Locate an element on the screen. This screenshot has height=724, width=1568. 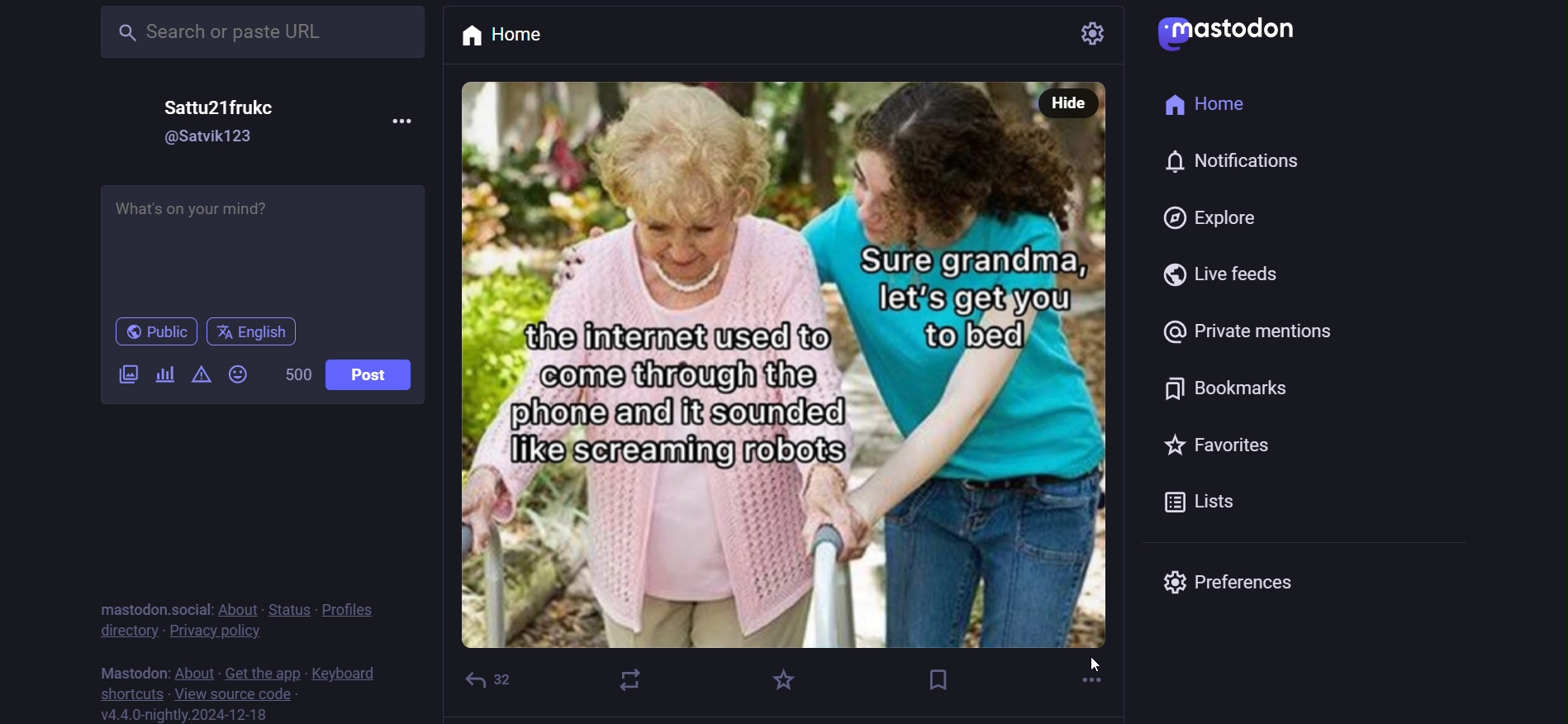
directory is located at coordinates (121, 630).